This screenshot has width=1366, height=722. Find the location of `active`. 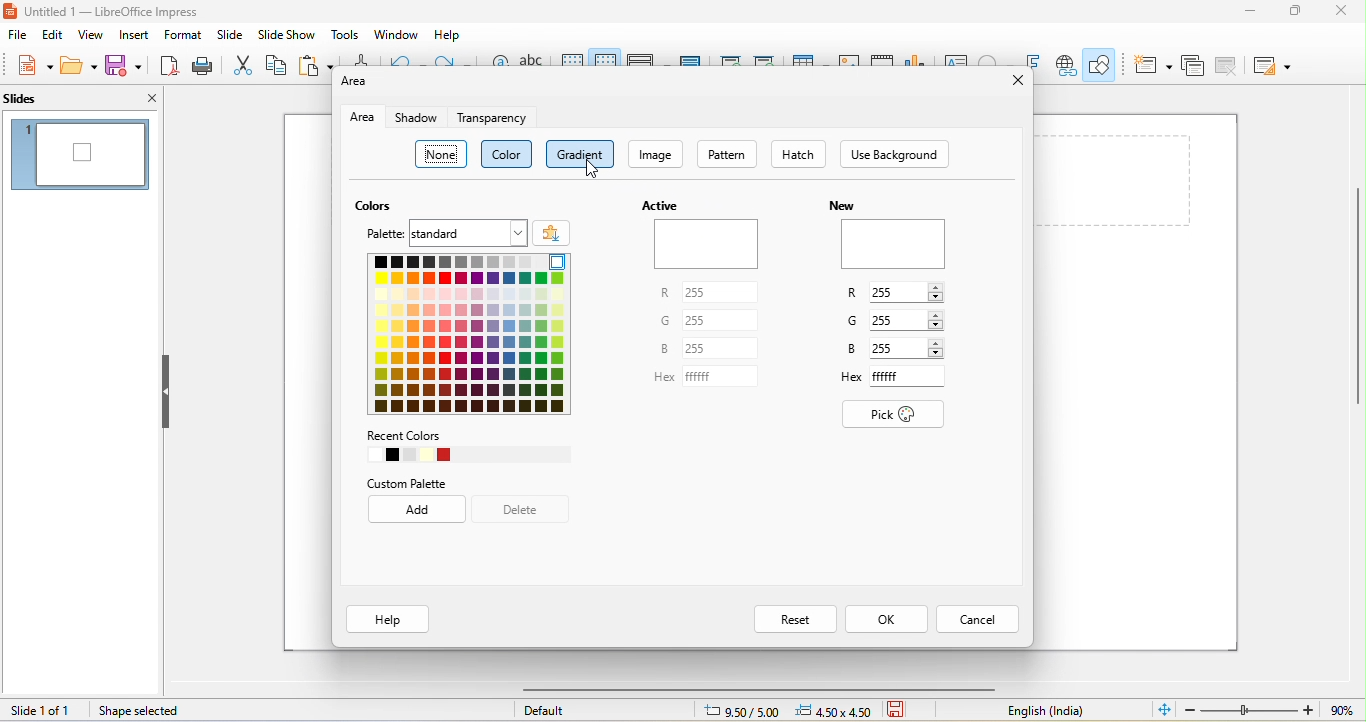

active is located at coordinates (665, 206).